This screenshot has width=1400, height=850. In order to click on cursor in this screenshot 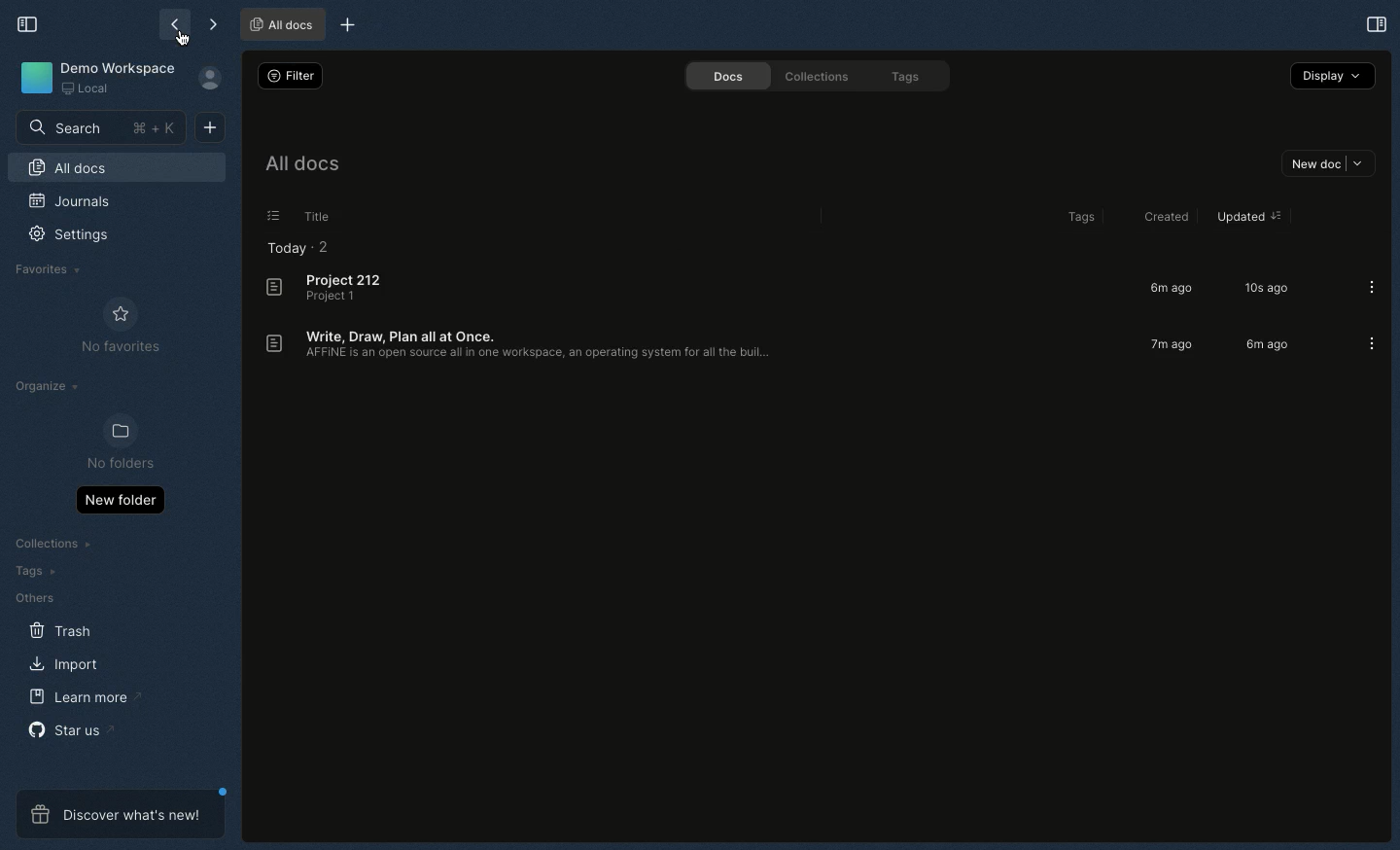, I will do `click(186, 39)`.